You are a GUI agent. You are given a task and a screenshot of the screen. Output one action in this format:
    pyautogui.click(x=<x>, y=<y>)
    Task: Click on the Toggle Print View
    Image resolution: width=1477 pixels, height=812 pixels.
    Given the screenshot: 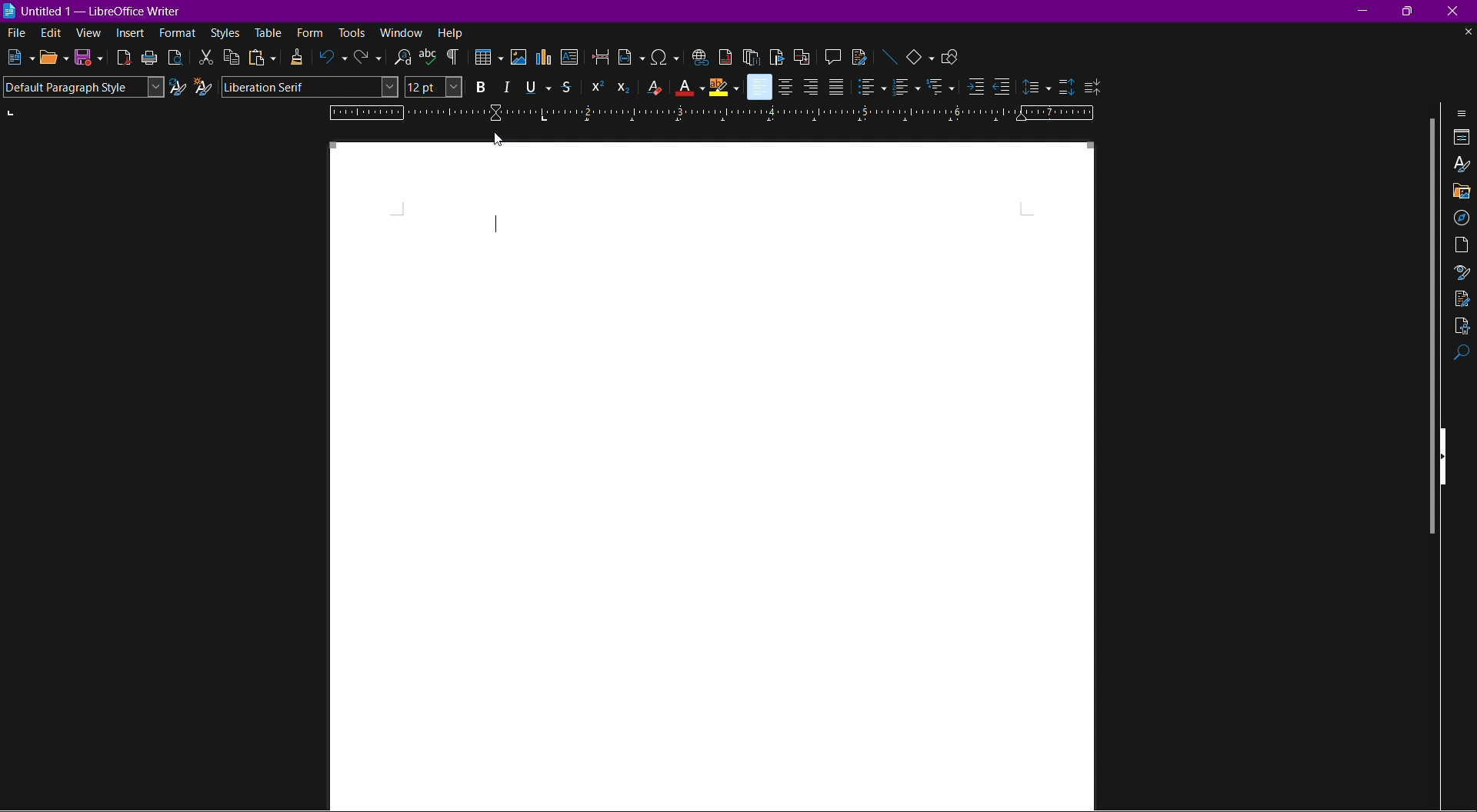 What is the action you would take?
    pyautogui.click(x=174, y=57)
    